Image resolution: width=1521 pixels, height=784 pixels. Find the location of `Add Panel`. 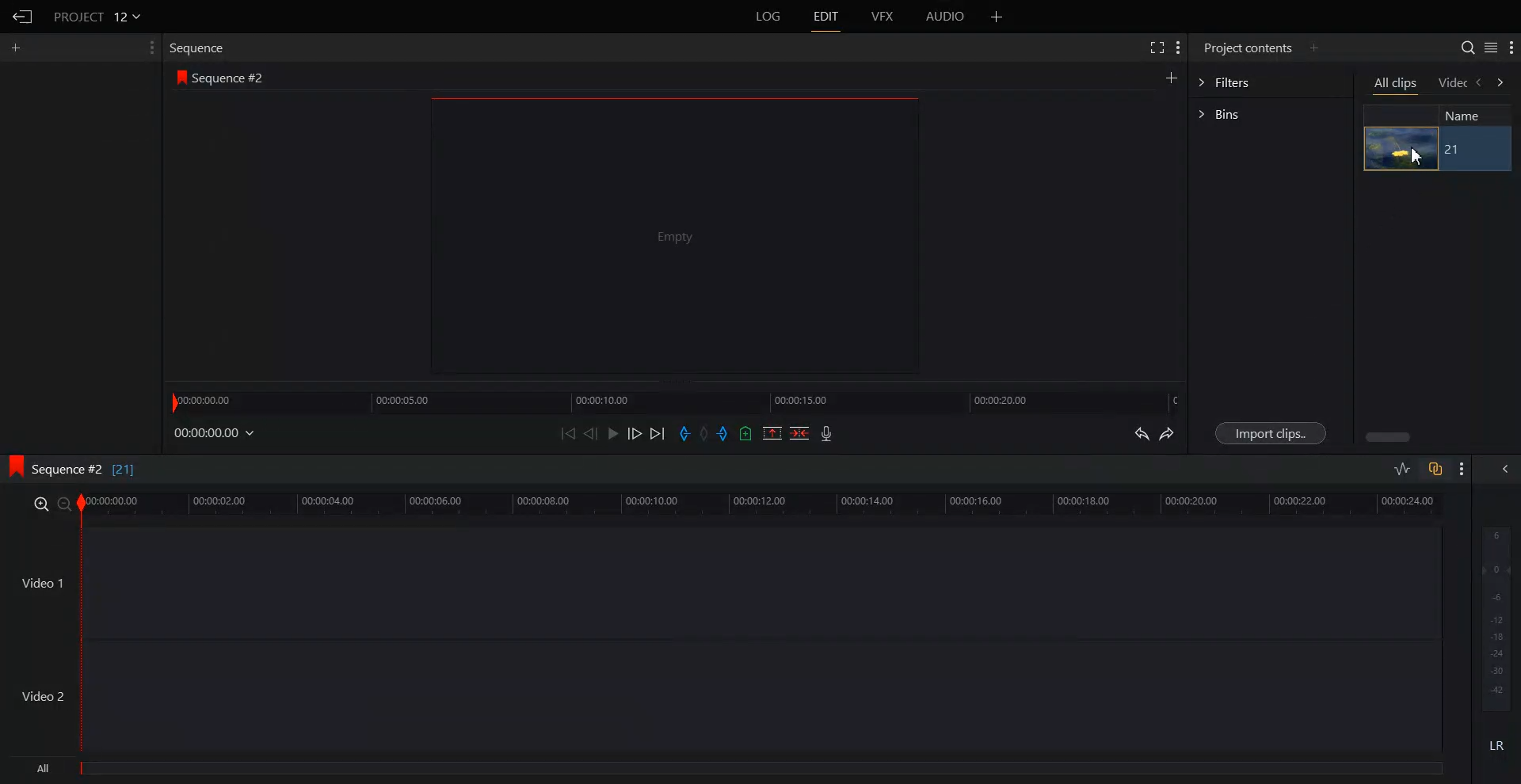

Add Panel is located at coordinates (16, 48).